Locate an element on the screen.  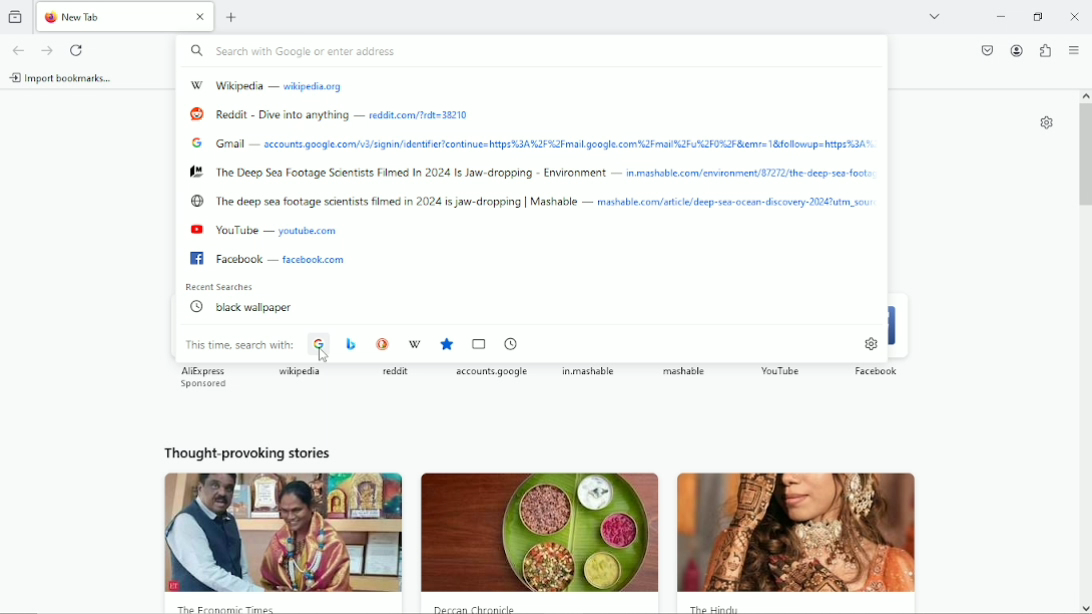
new tab is located at coordinates (109, 17).